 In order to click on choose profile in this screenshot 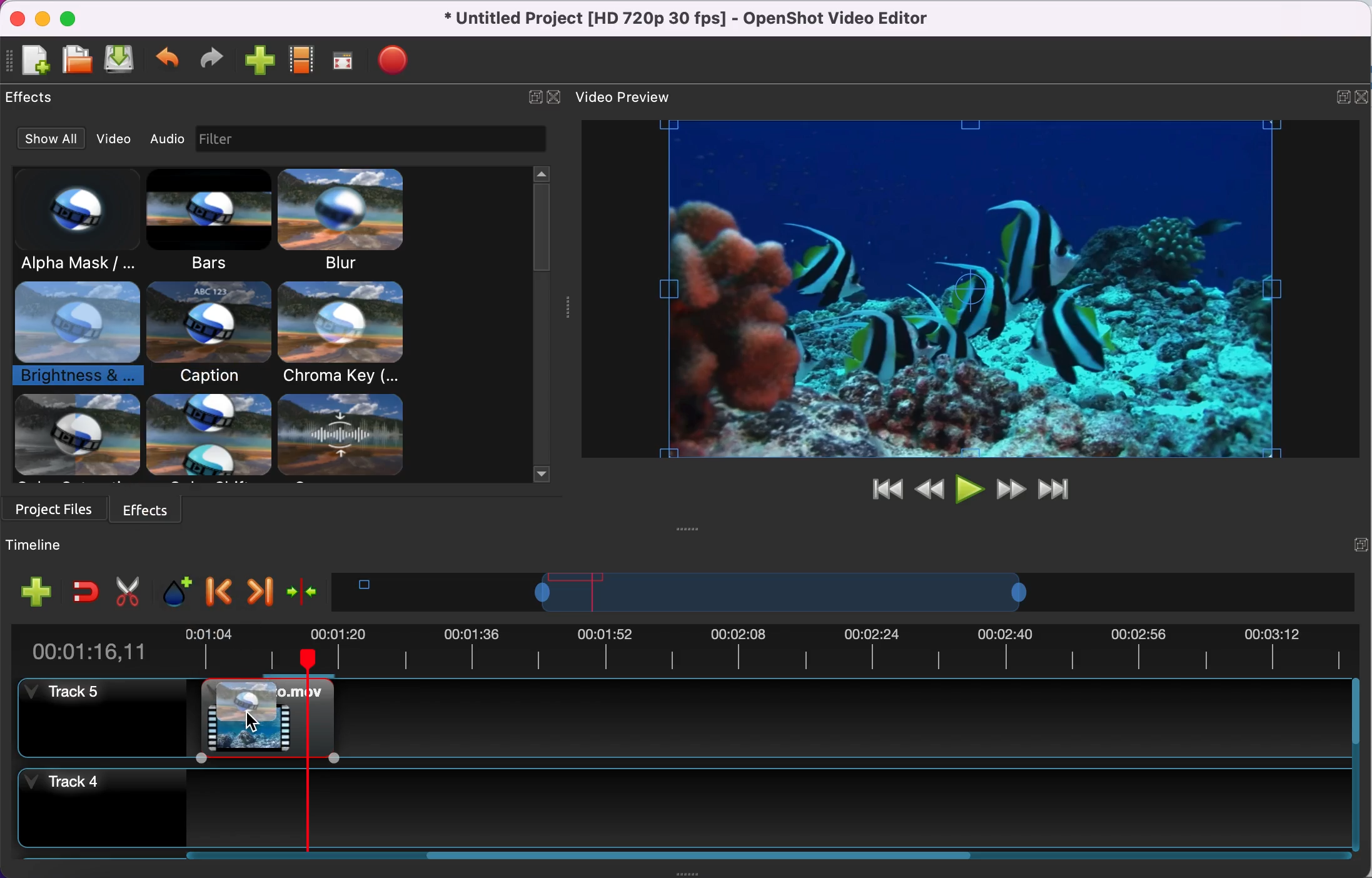, I will do `click(301, 61)`.